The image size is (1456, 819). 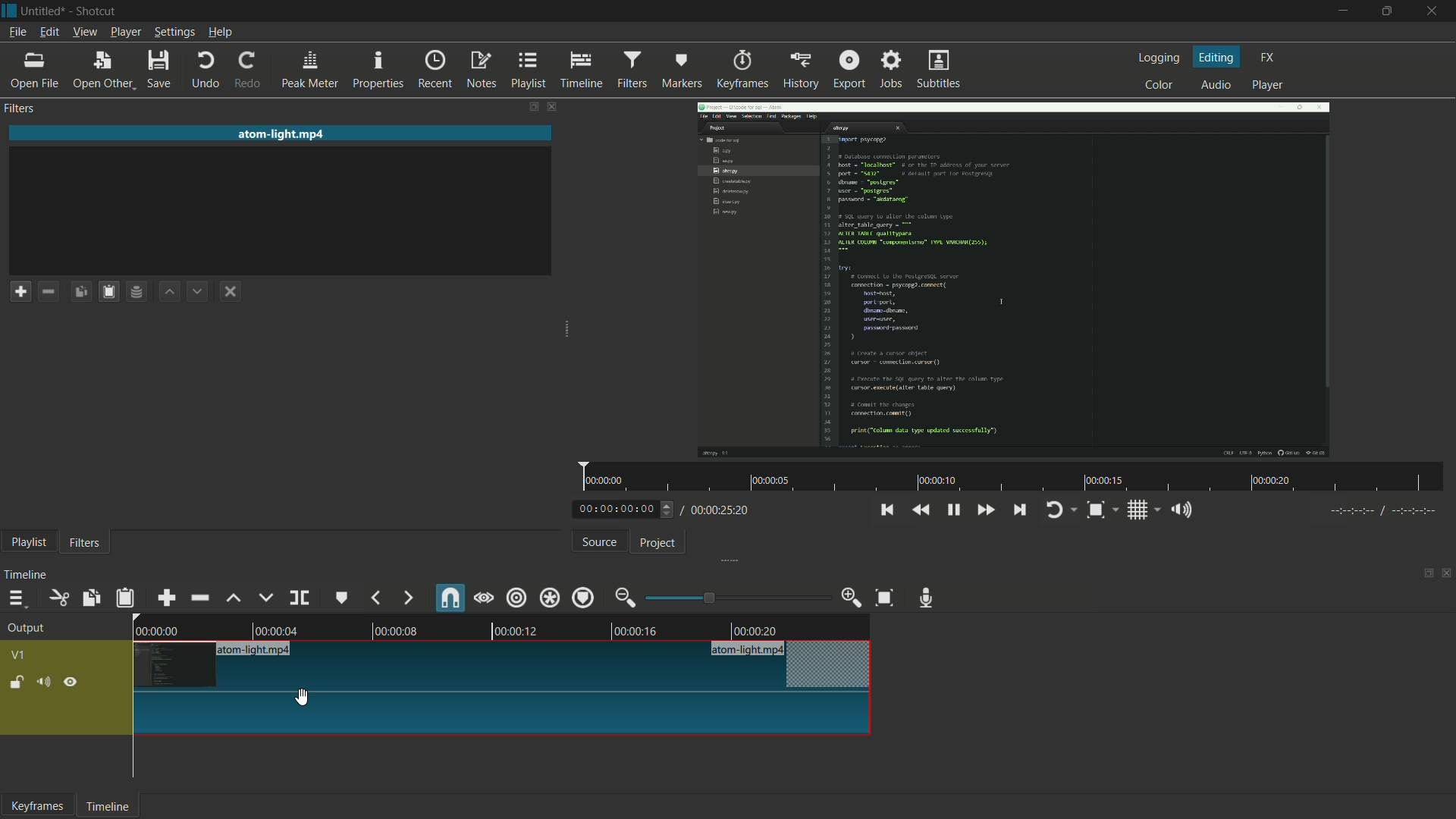 What do you see at coordinates (1387, 11) in the screenshot?
I see `maximize` at bounding box center [1387, 11].